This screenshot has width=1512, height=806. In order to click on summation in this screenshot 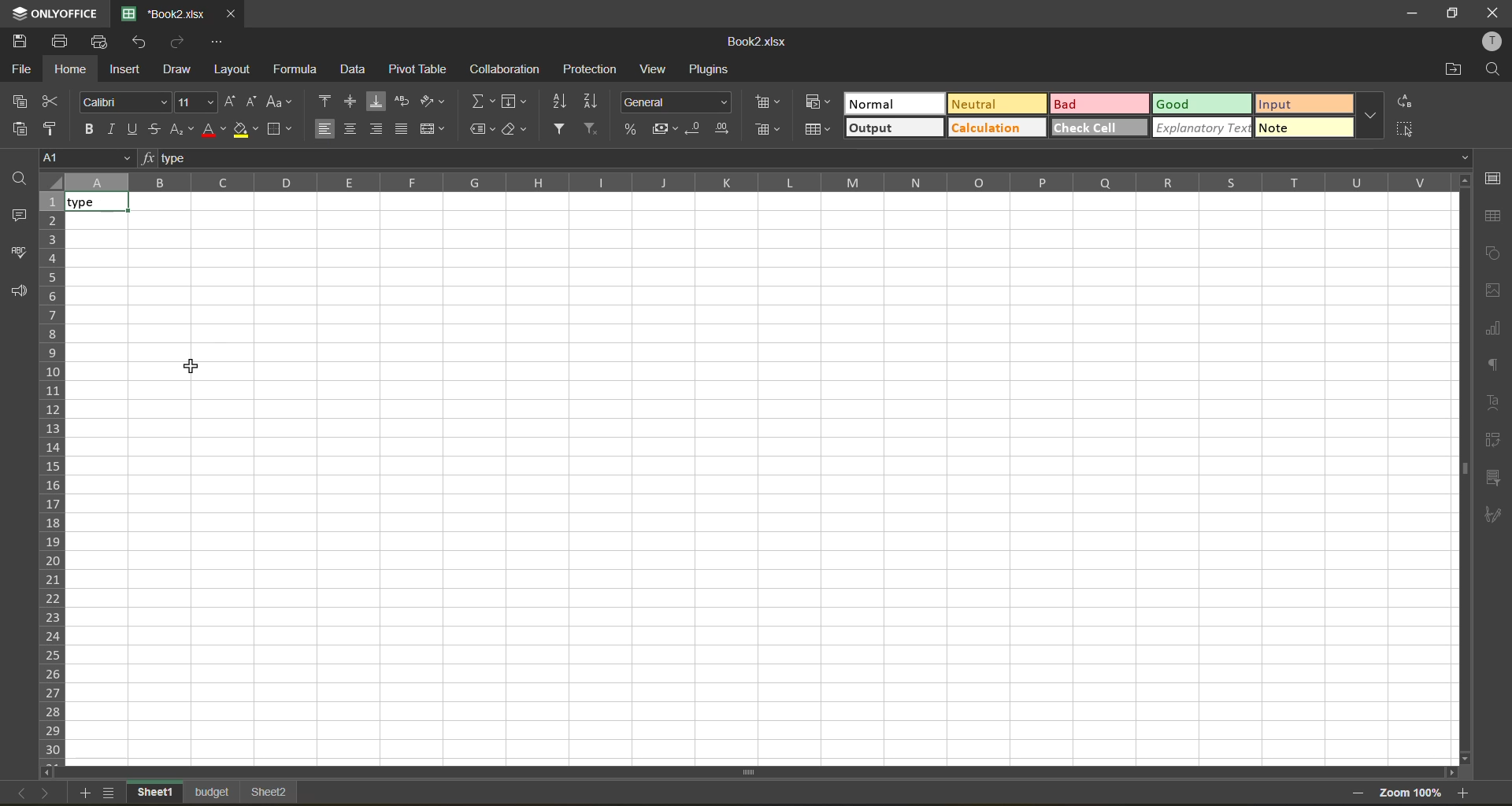, I will do `click(480, 102)`.